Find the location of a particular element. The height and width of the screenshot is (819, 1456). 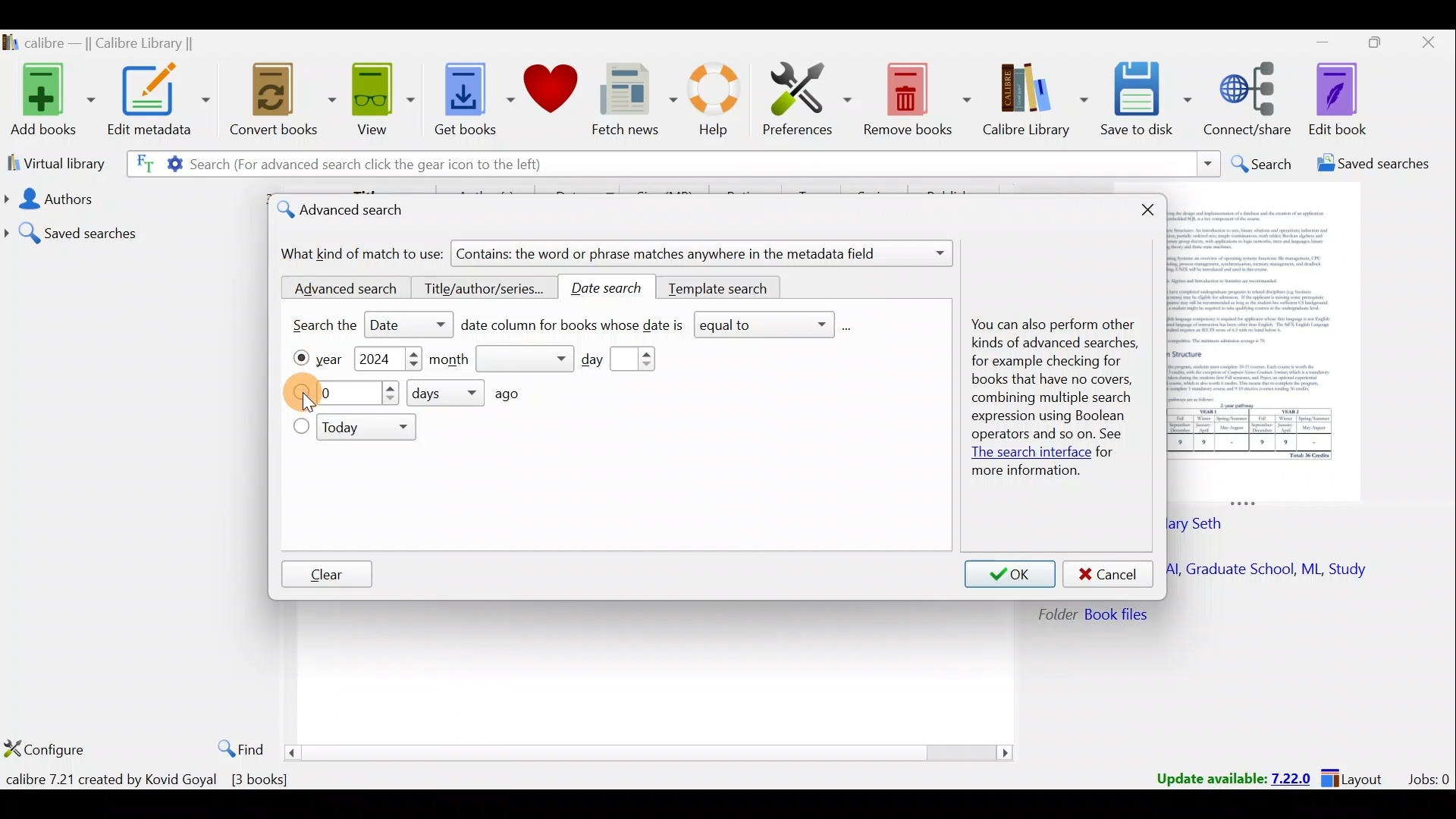

2024 is located at coordinates (376, 361).